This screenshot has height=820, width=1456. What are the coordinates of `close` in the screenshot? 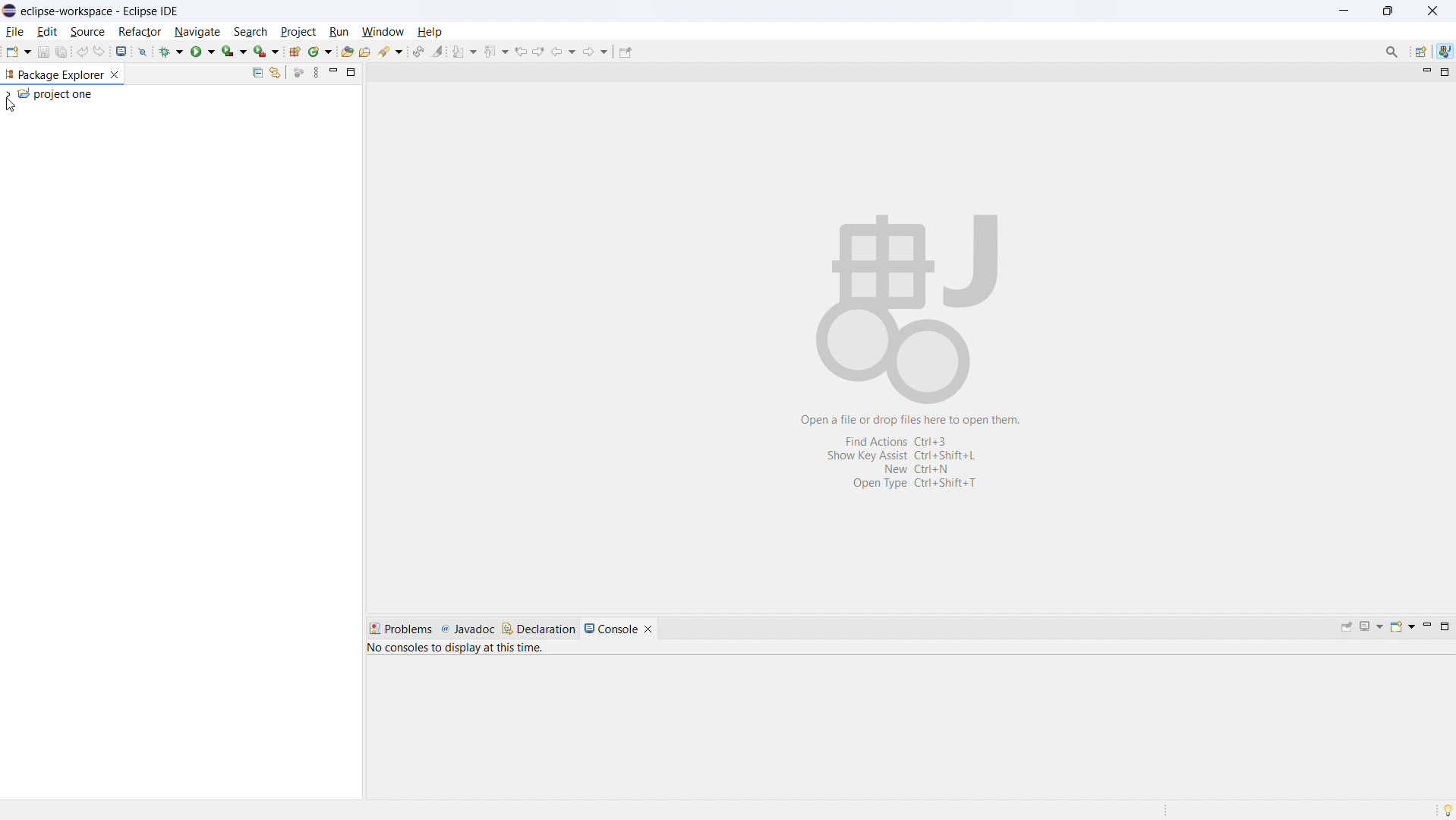 It's located at (1433, 10).